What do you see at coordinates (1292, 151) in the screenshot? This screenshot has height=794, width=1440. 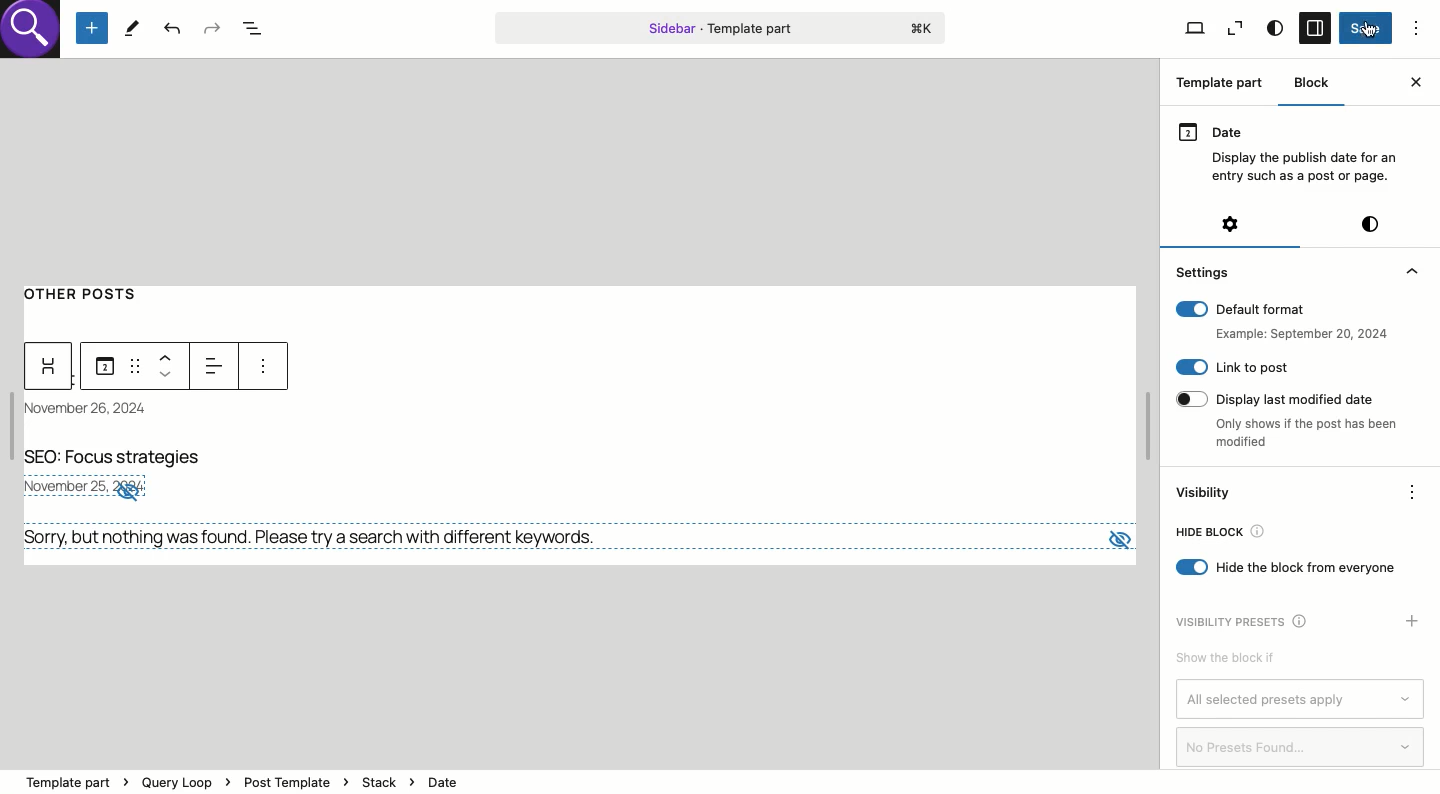 I see `Date` at bounding box center [1292, 151].